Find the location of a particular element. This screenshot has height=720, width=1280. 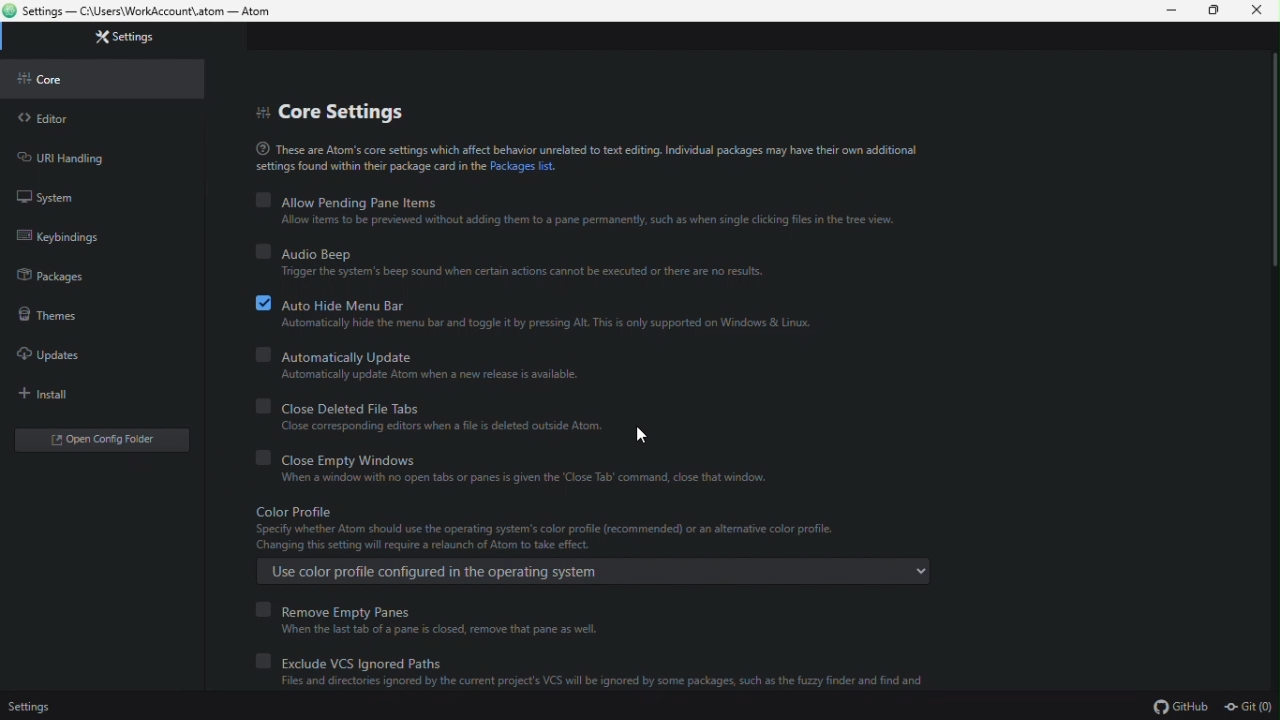

Editor is located at coordinates (42, 119).